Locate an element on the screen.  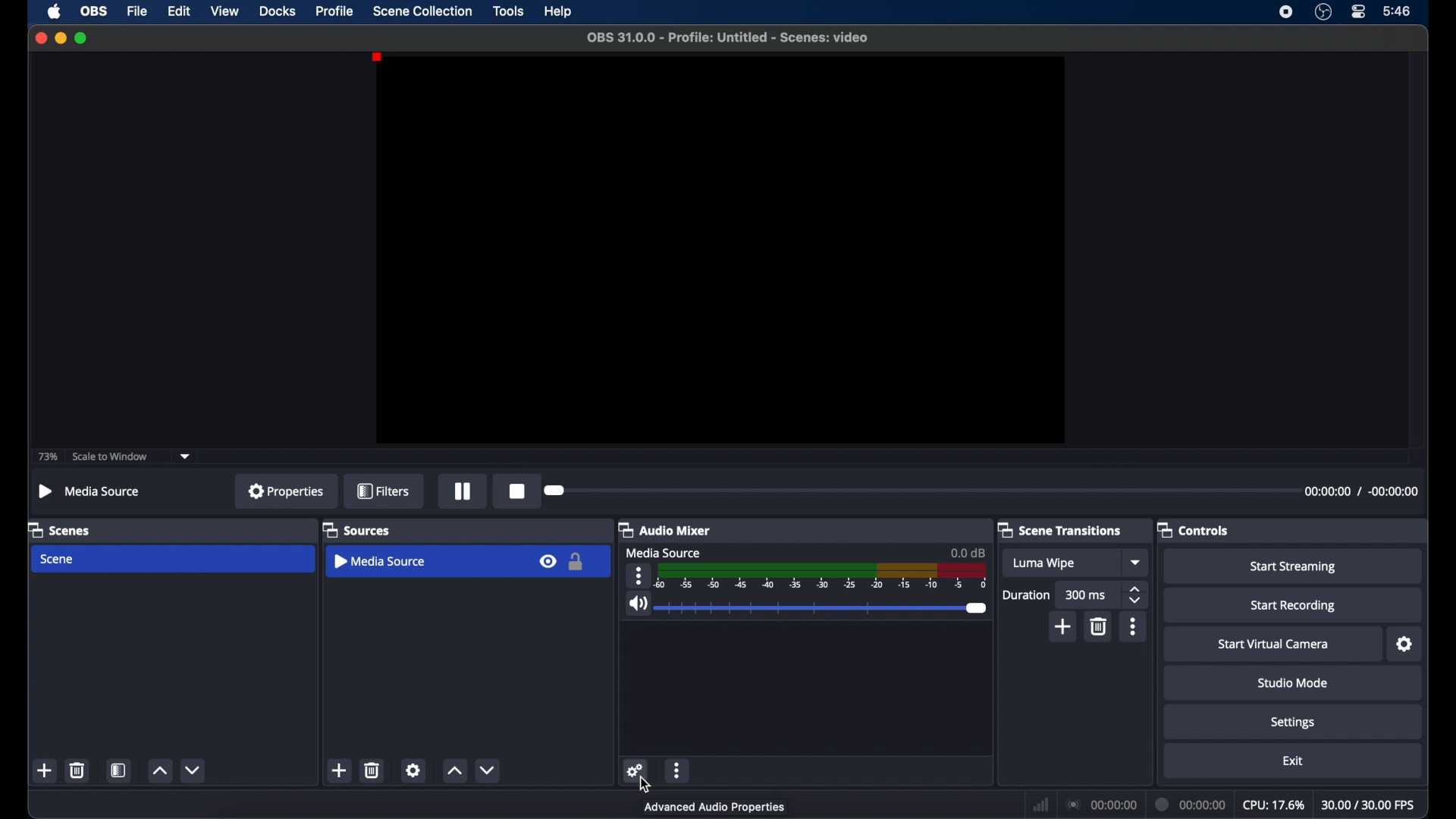
slider is located at coordinates (557, 491).